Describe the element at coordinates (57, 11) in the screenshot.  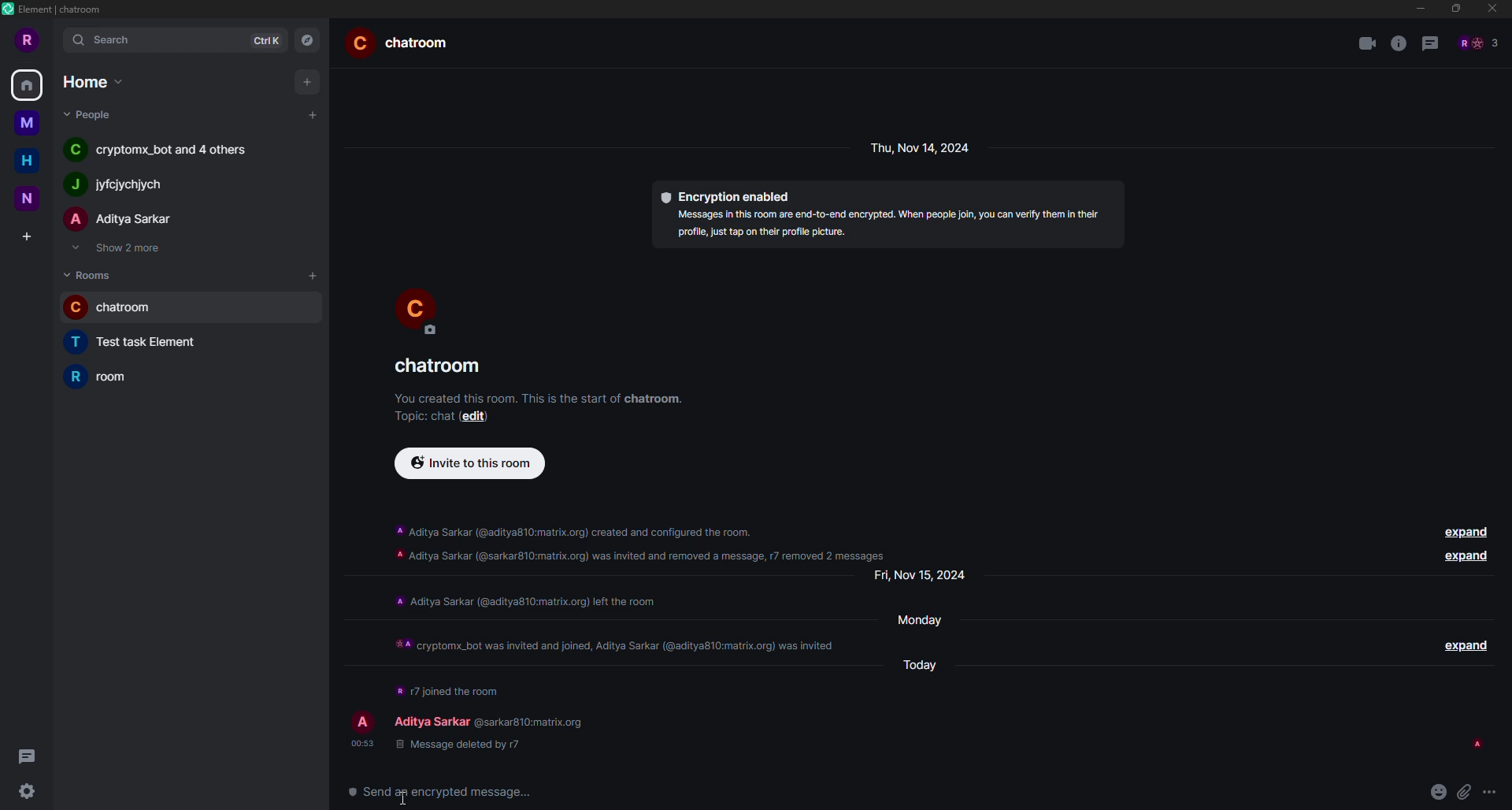
I see `element` at that location.